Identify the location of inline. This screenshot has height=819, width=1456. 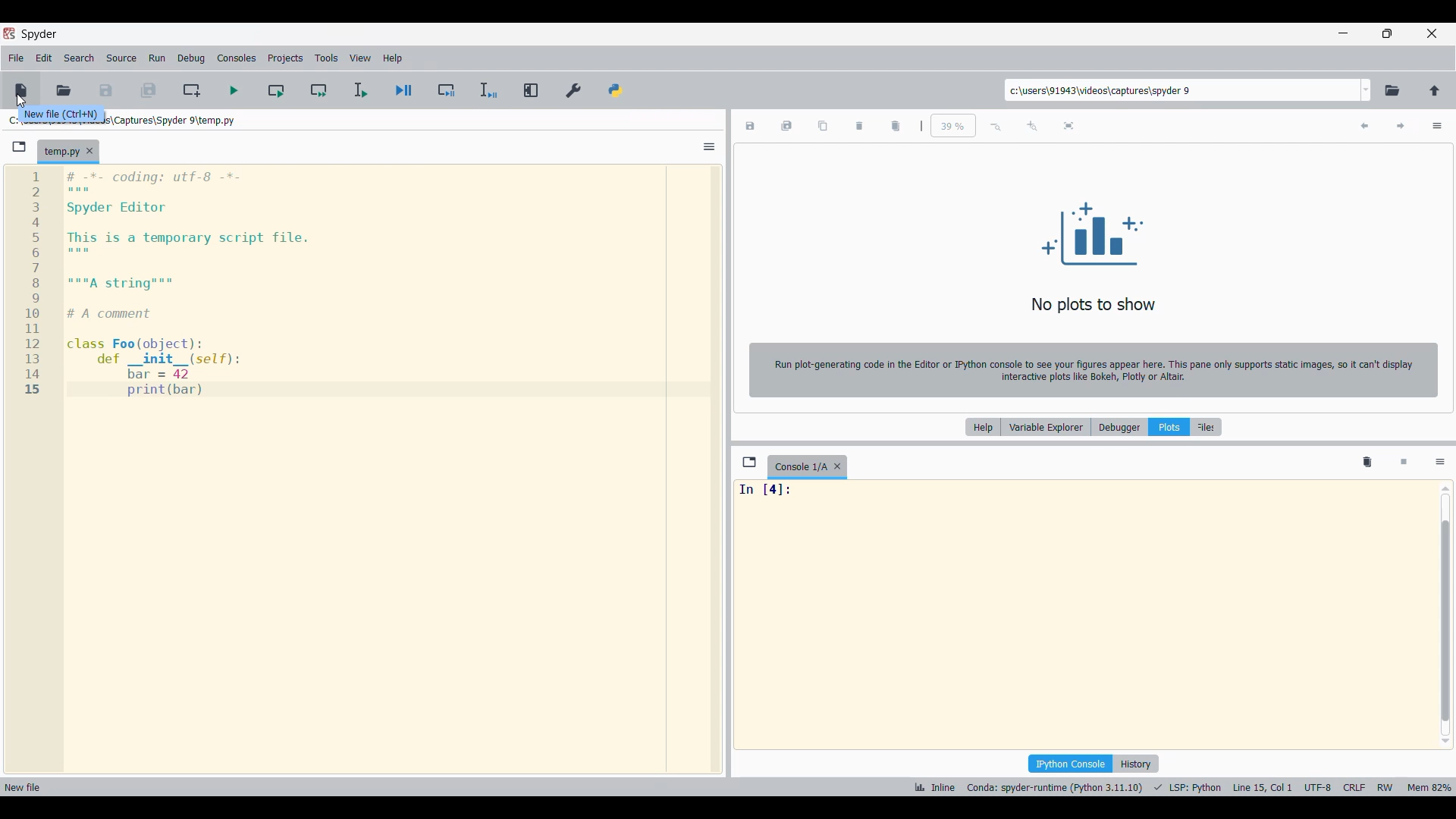
(932, 788).